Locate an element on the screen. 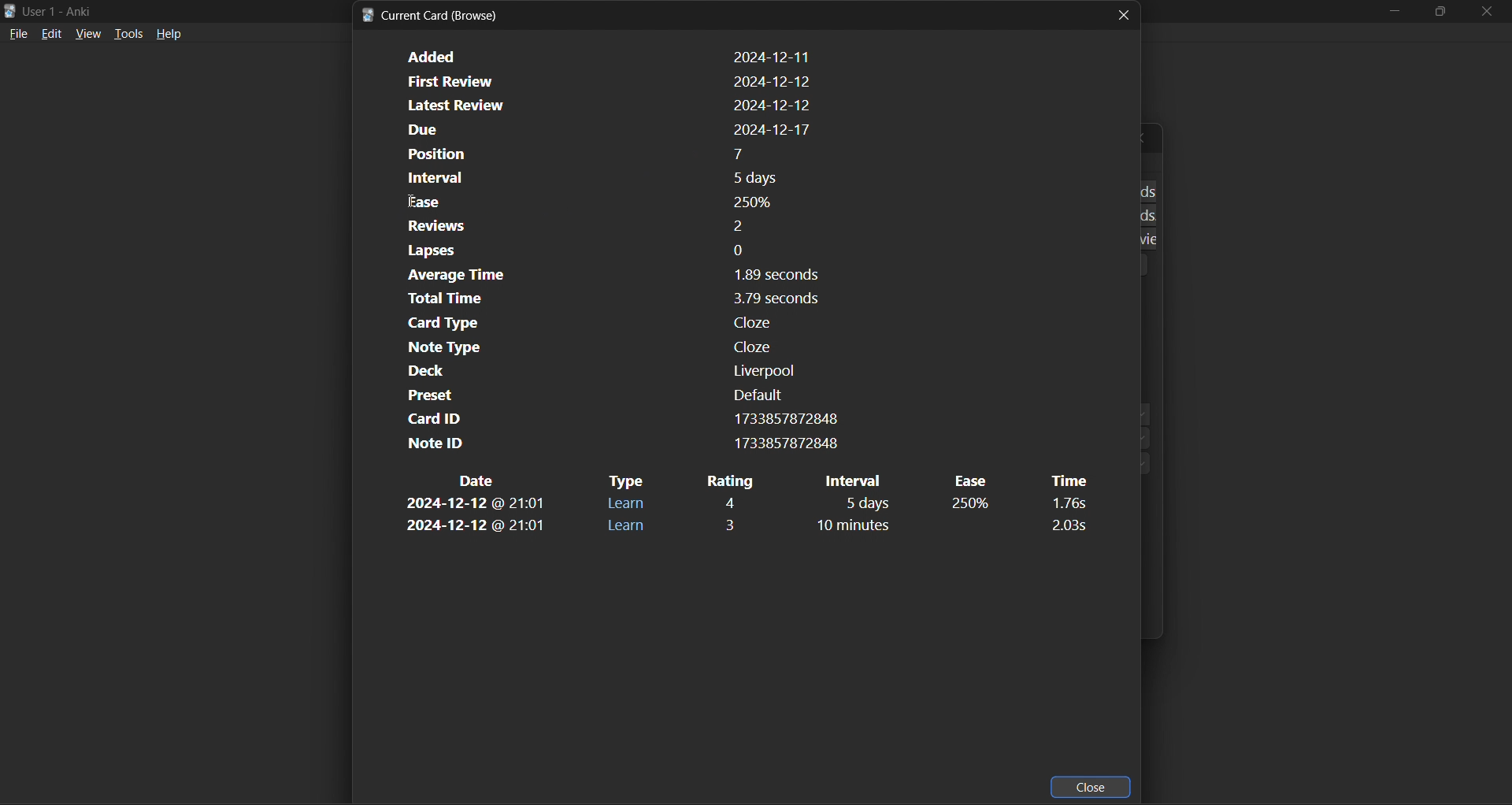  card added date is located at coordinates (606, 56).